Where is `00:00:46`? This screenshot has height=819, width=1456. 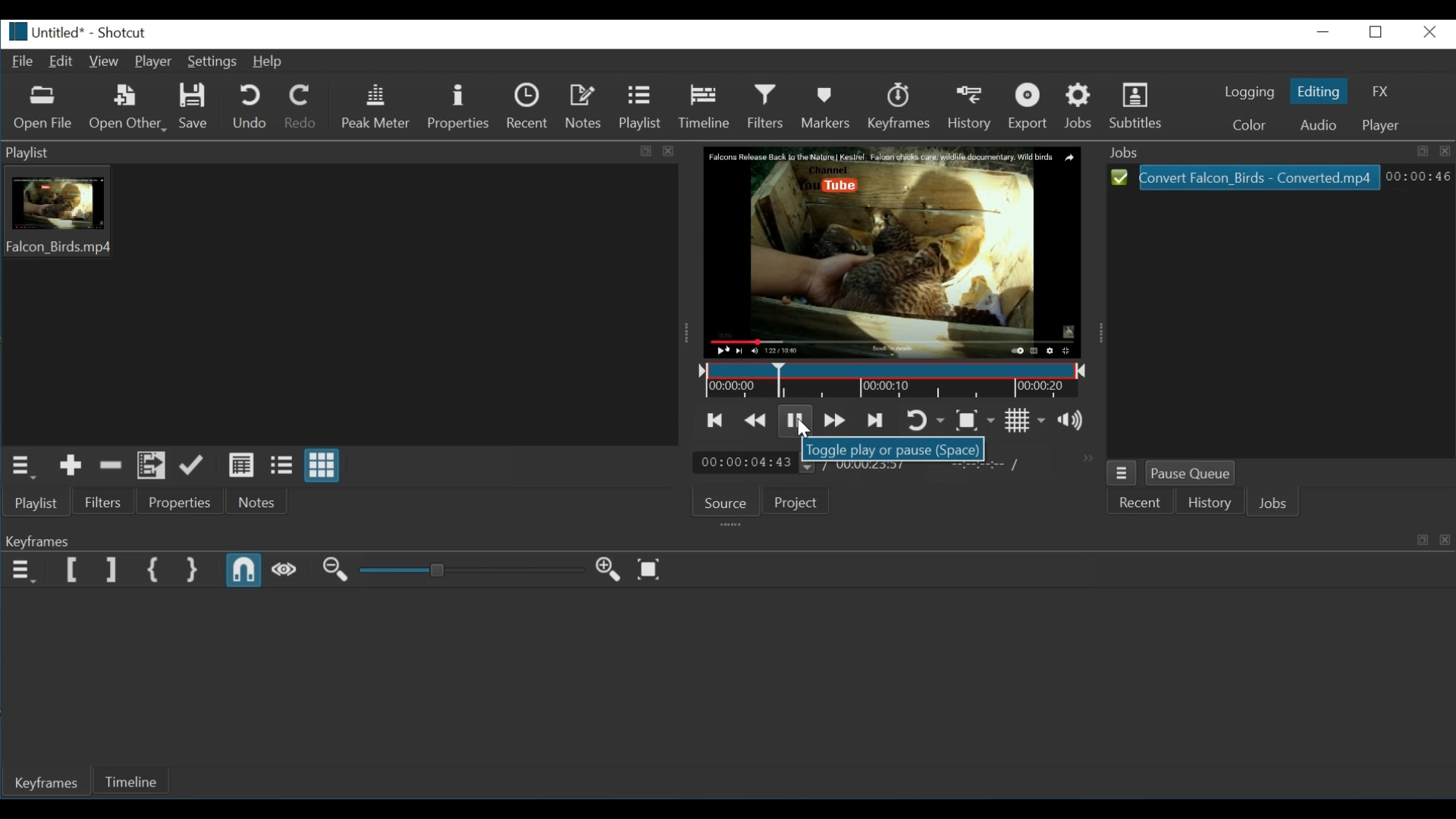 00:00:46 is located at coordinates (1417, 177).